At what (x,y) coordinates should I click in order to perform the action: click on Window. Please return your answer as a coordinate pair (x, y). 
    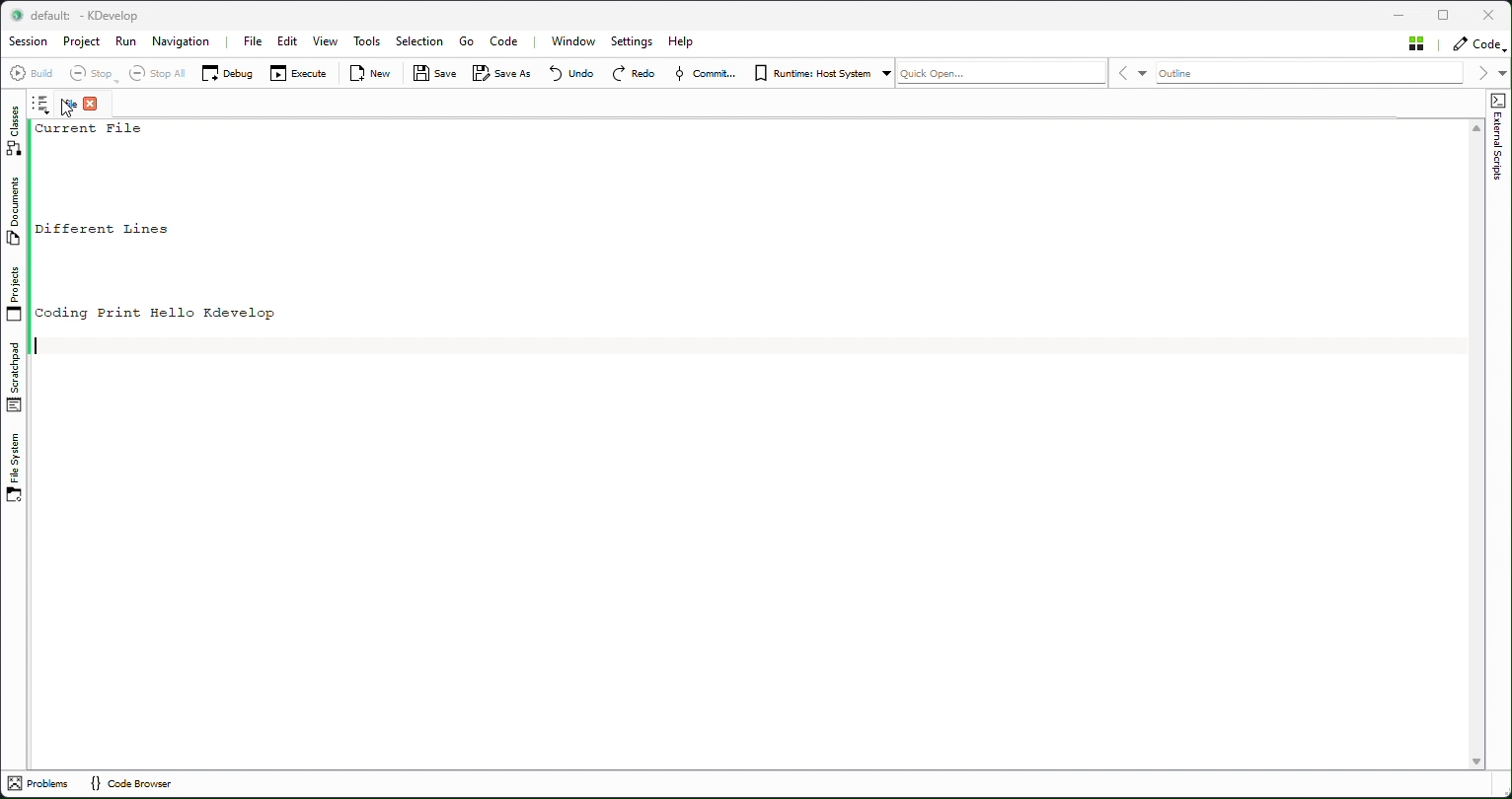
    Looking at the image, I should click on (579, 41).